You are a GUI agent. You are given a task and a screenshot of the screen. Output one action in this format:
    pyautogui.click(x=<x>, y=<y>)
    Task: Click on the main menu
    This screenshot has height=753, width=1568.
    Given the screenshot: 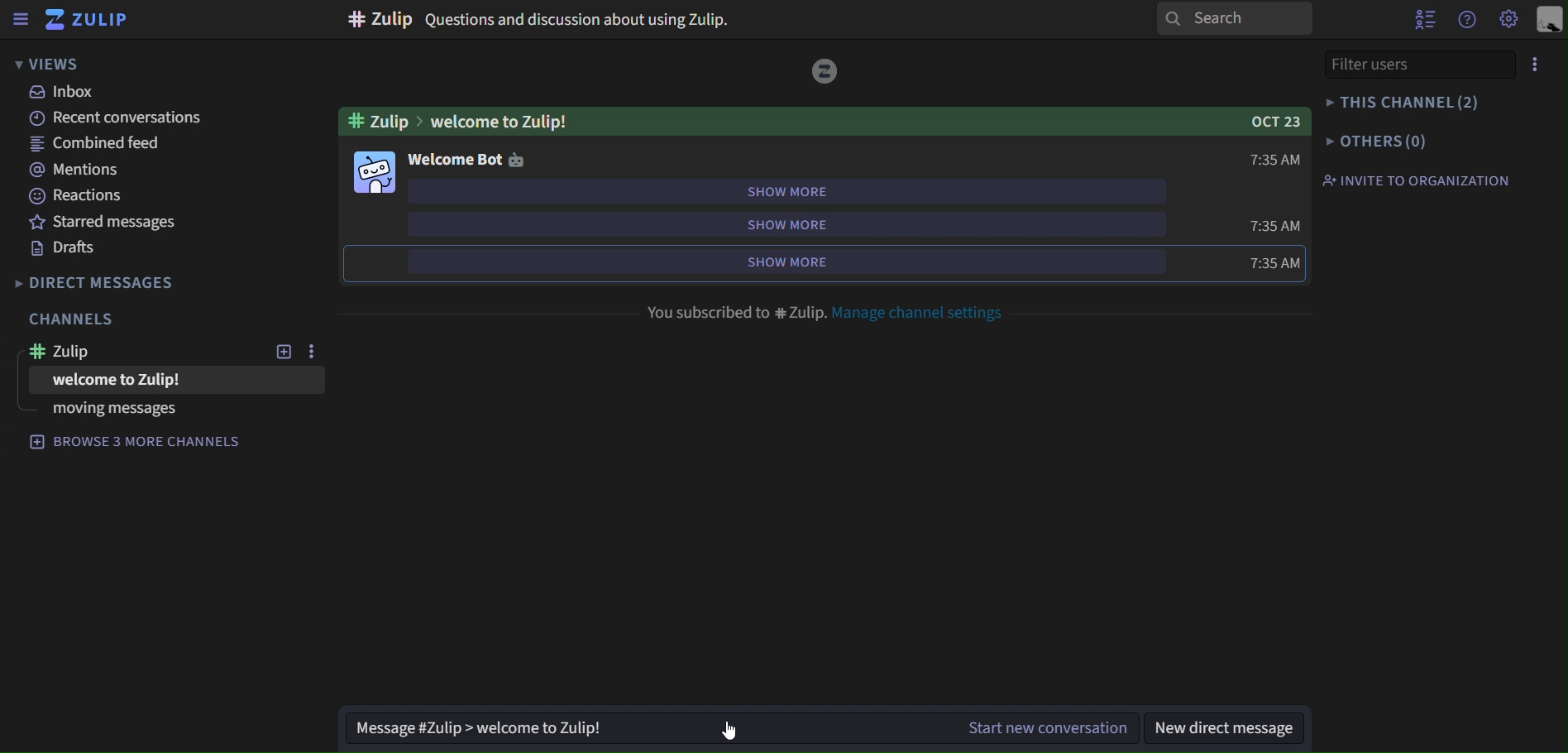 What is the action you would take?
    pyautogui.click(x=1510, y=21)
    